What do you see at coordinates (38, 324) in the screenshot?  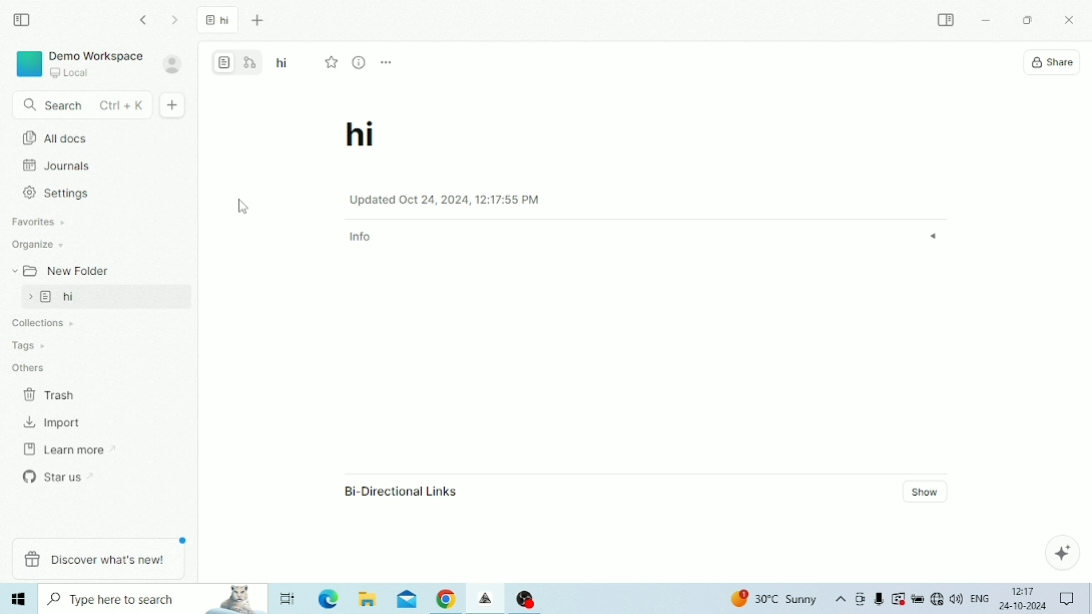 I see `Collections` at bounding box center [38, 324].